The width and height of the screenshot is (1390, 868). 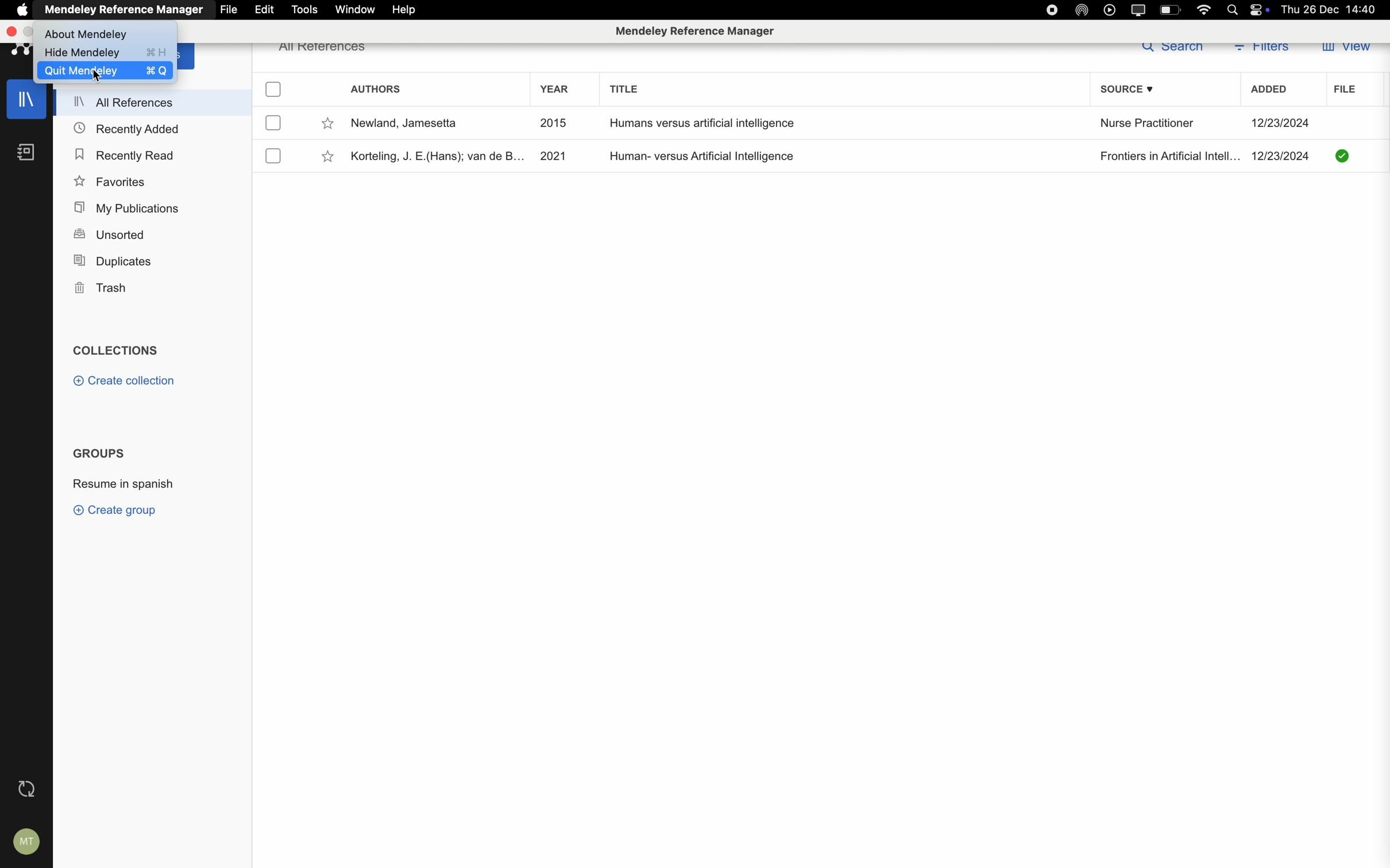 I want to click on Mendeley logo, so click(x=18, y=51).